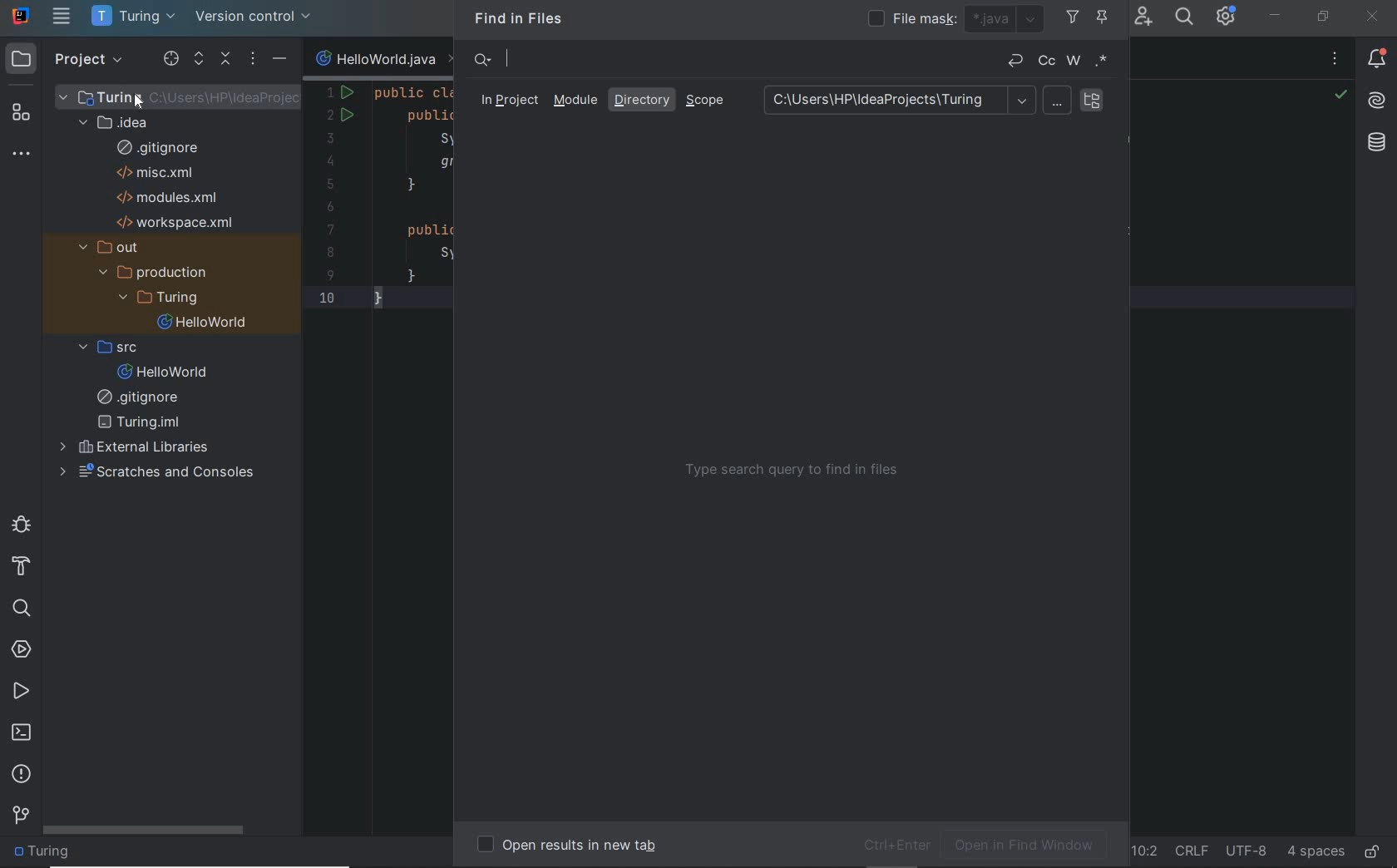 The width and height of the screenshot is (1397, 868). Describe the element at coordinates (1335, 60) in the screenshot. I see `recent files, tab actions` at that location.